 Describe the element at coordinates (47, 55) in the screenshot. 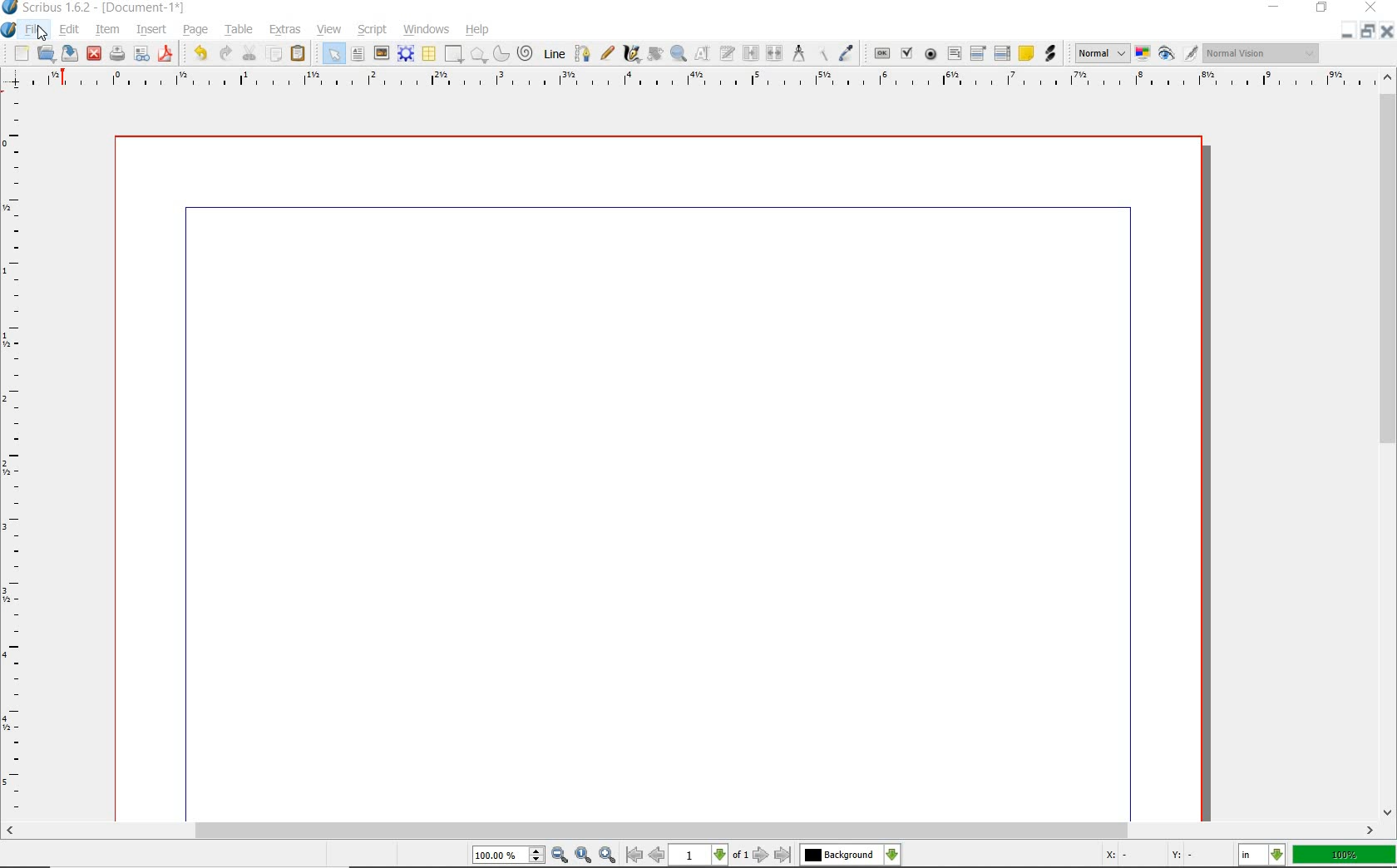

I see `open` at that location.